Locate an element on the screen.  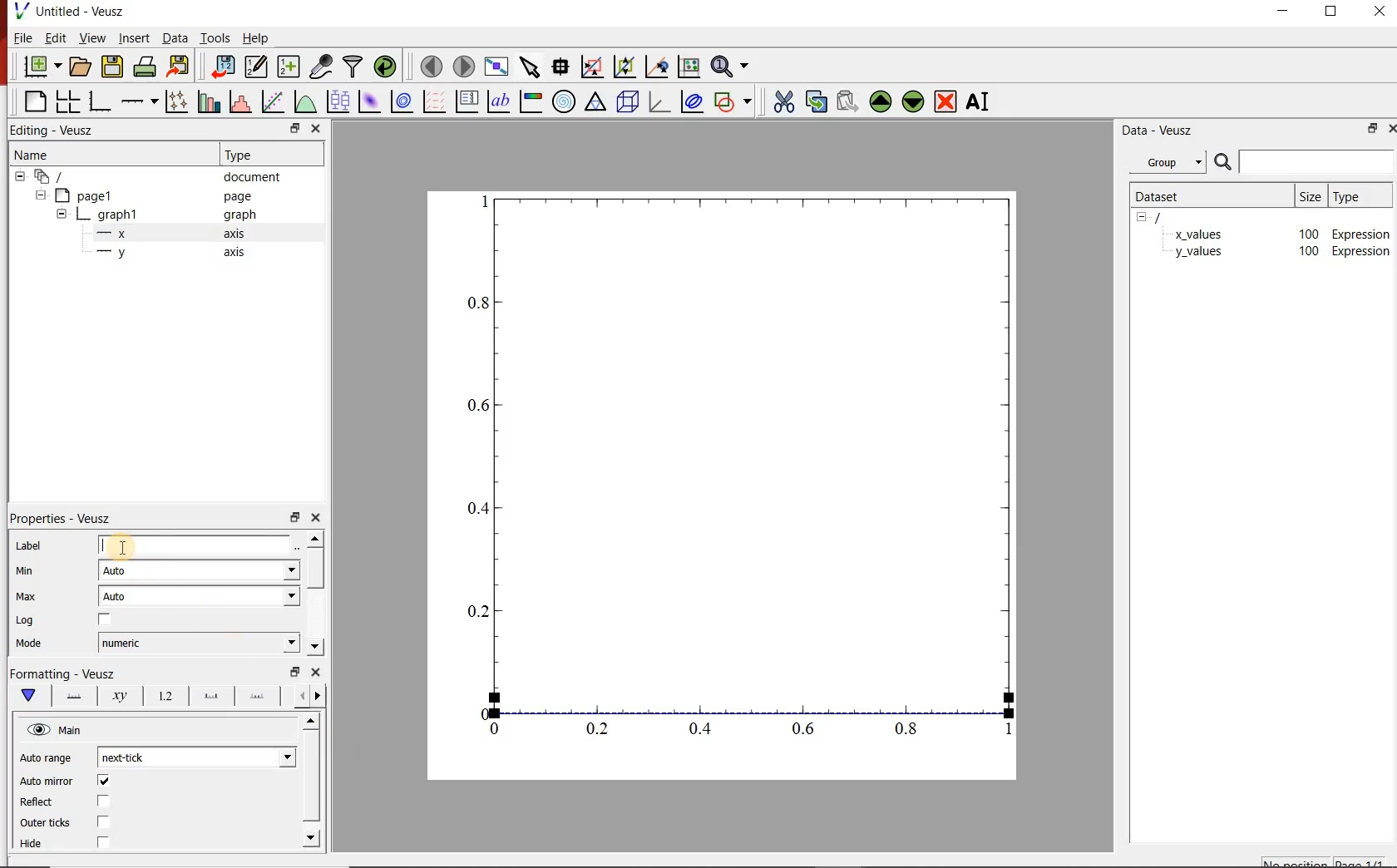
checkbox is located at coordinates (106, 619).